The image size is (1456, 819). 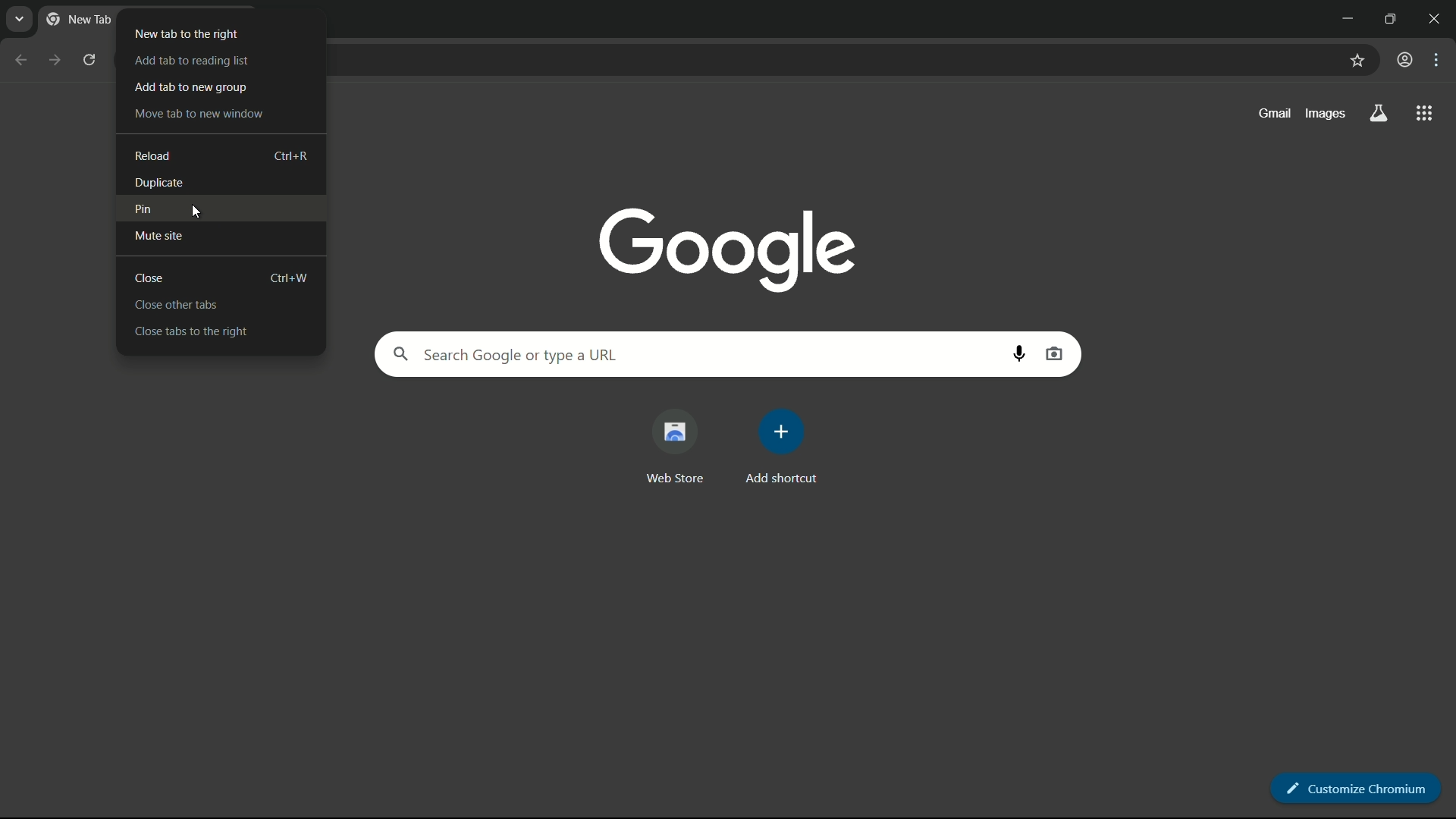 What do you see at coordinates (186, 33) in the screenshot?
I see `new tab to the right` at bounding box center [186, 33].